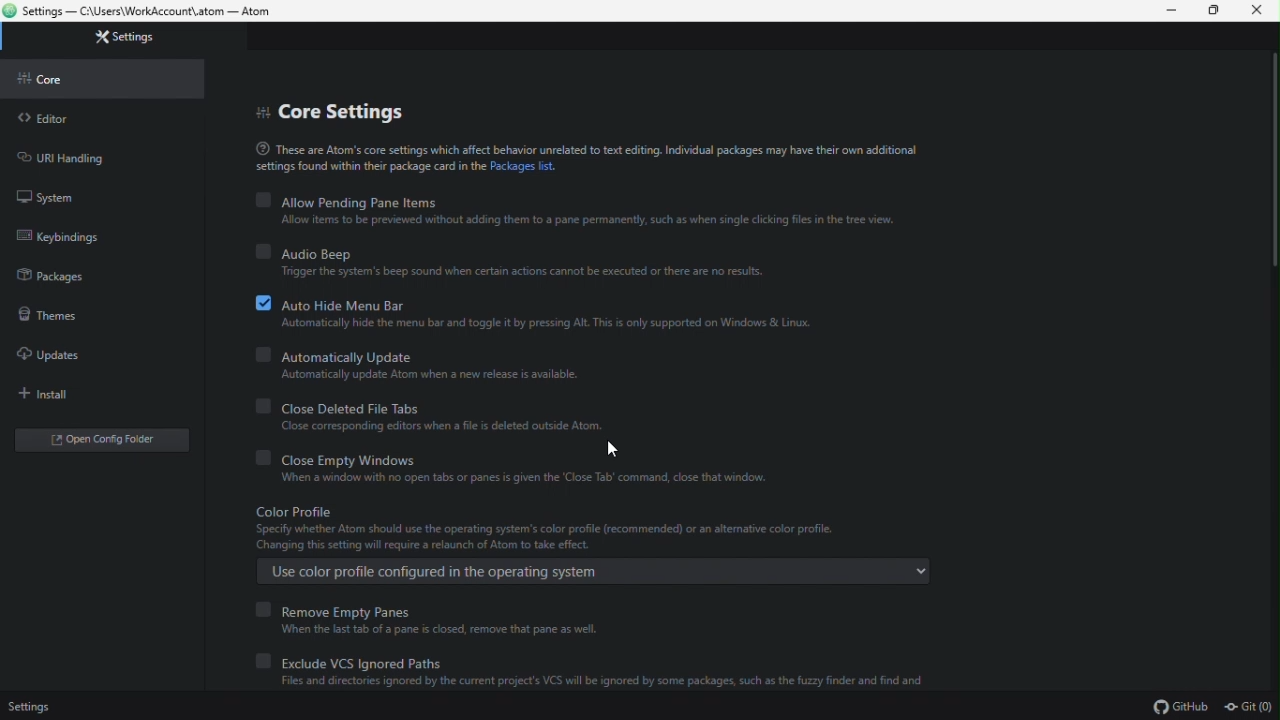  Describe the element at coordinates (537, 273) in the screenshot. I see `‘Trigger the system's beep sound when certain actions cannot be executed or there are no results.` at that location.